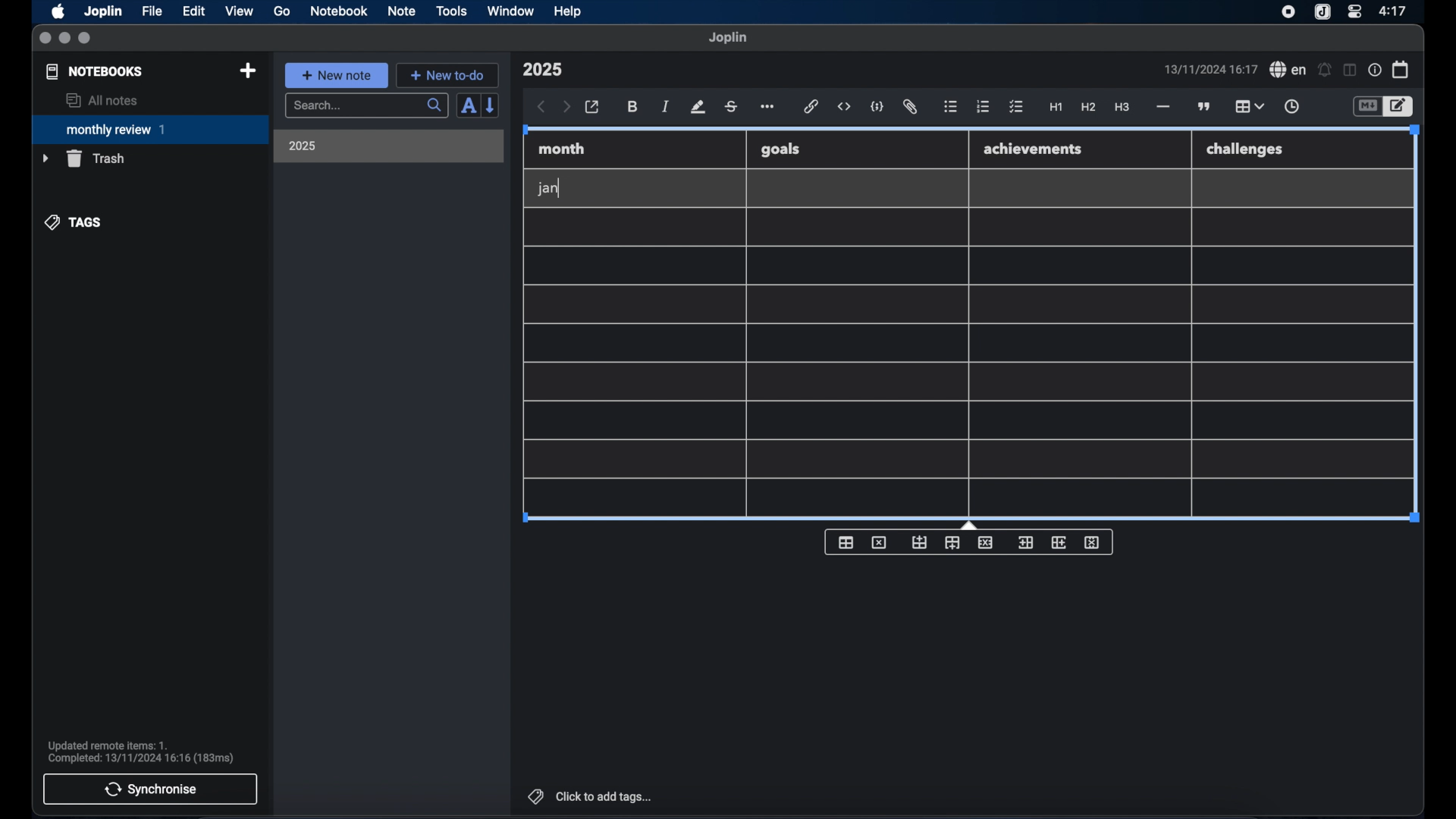 The width and height of the screenshot is (1456, 819). I want to click on italic, so click(666, 106).